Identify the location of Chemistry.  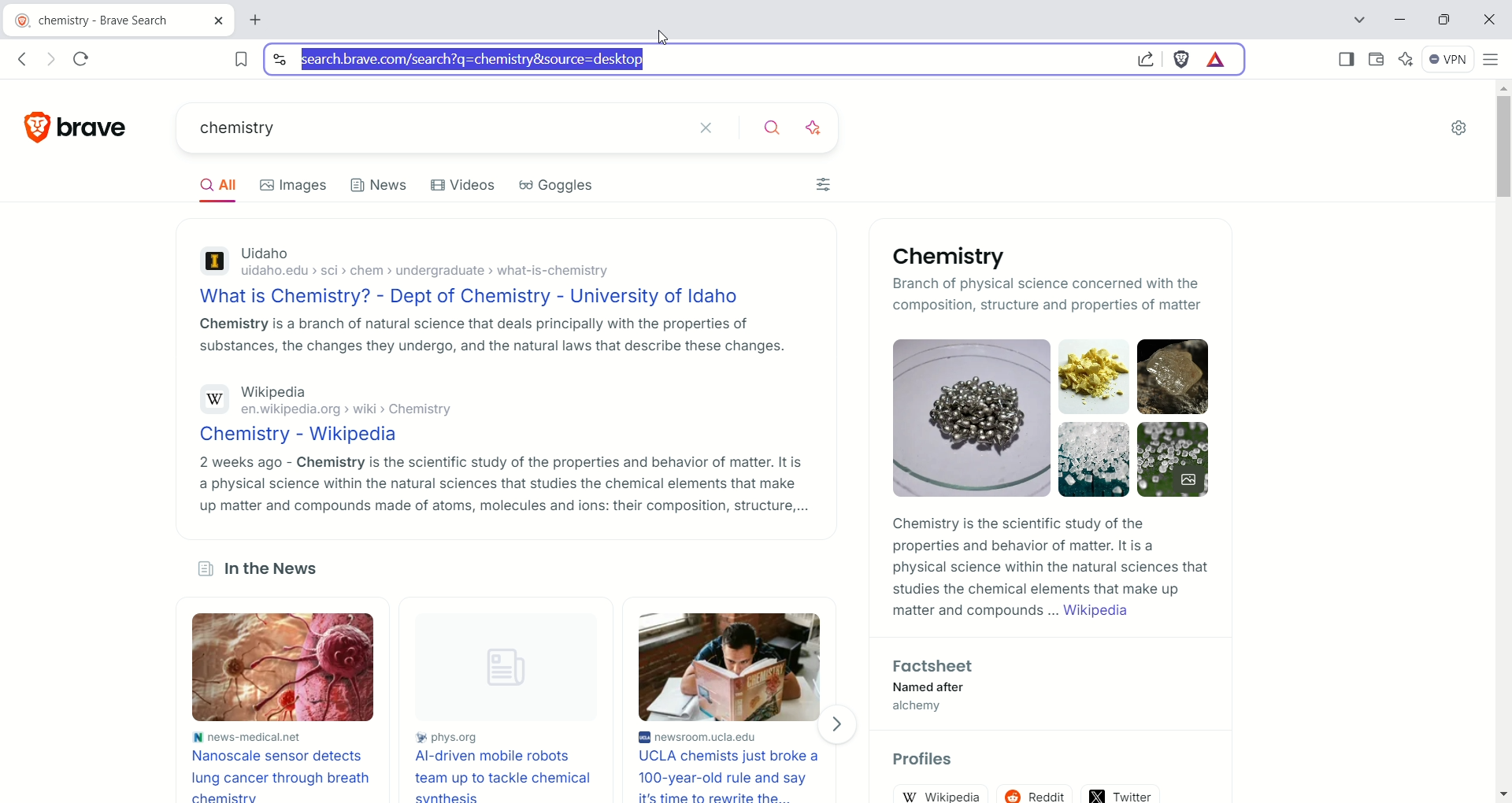
(955, 257).